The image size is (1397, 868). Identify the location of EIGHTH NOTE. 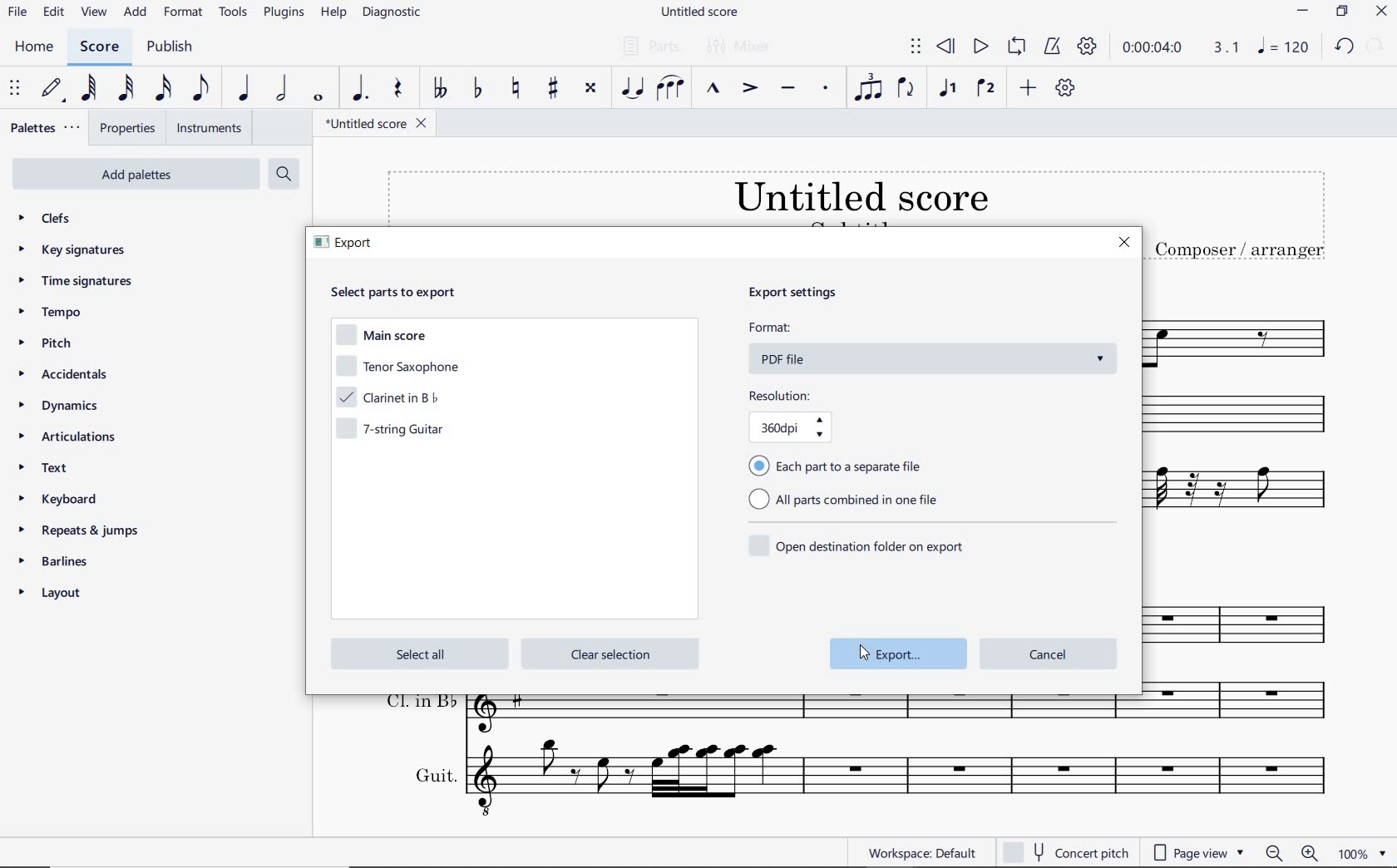
(201, 91).